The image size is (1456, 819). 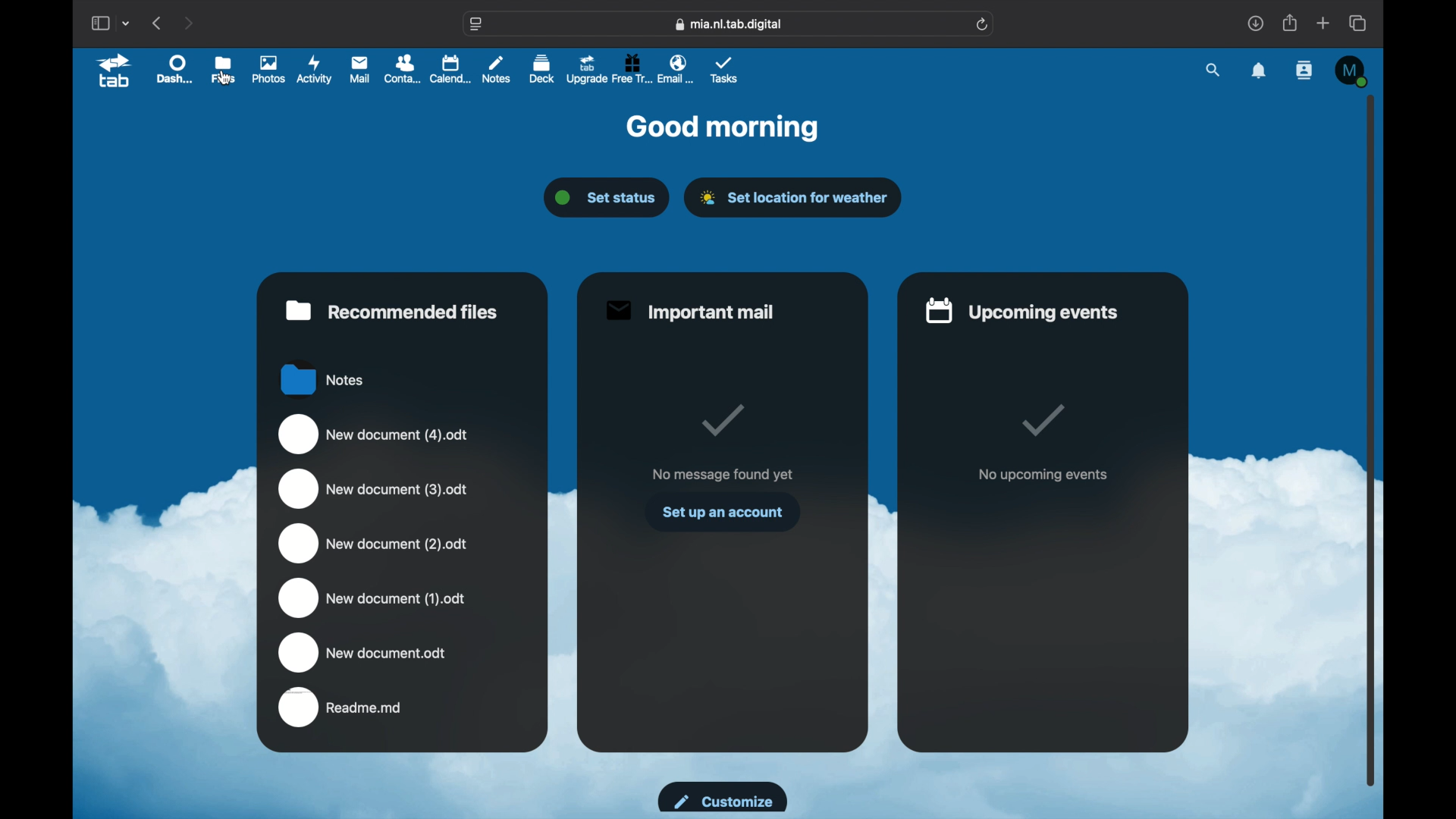 I want to click on new document, so click(x=372, y=489).